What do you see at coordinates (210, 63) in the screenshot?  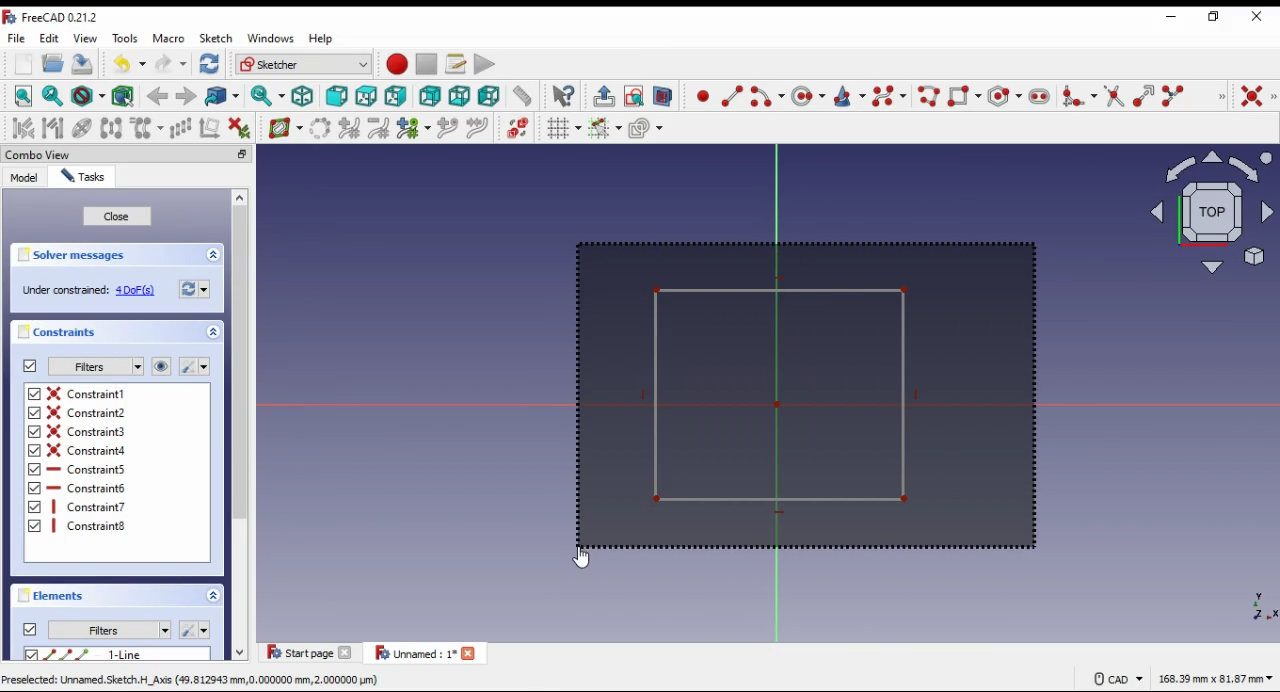 I see `refresh` at bounding box center [210, 63].